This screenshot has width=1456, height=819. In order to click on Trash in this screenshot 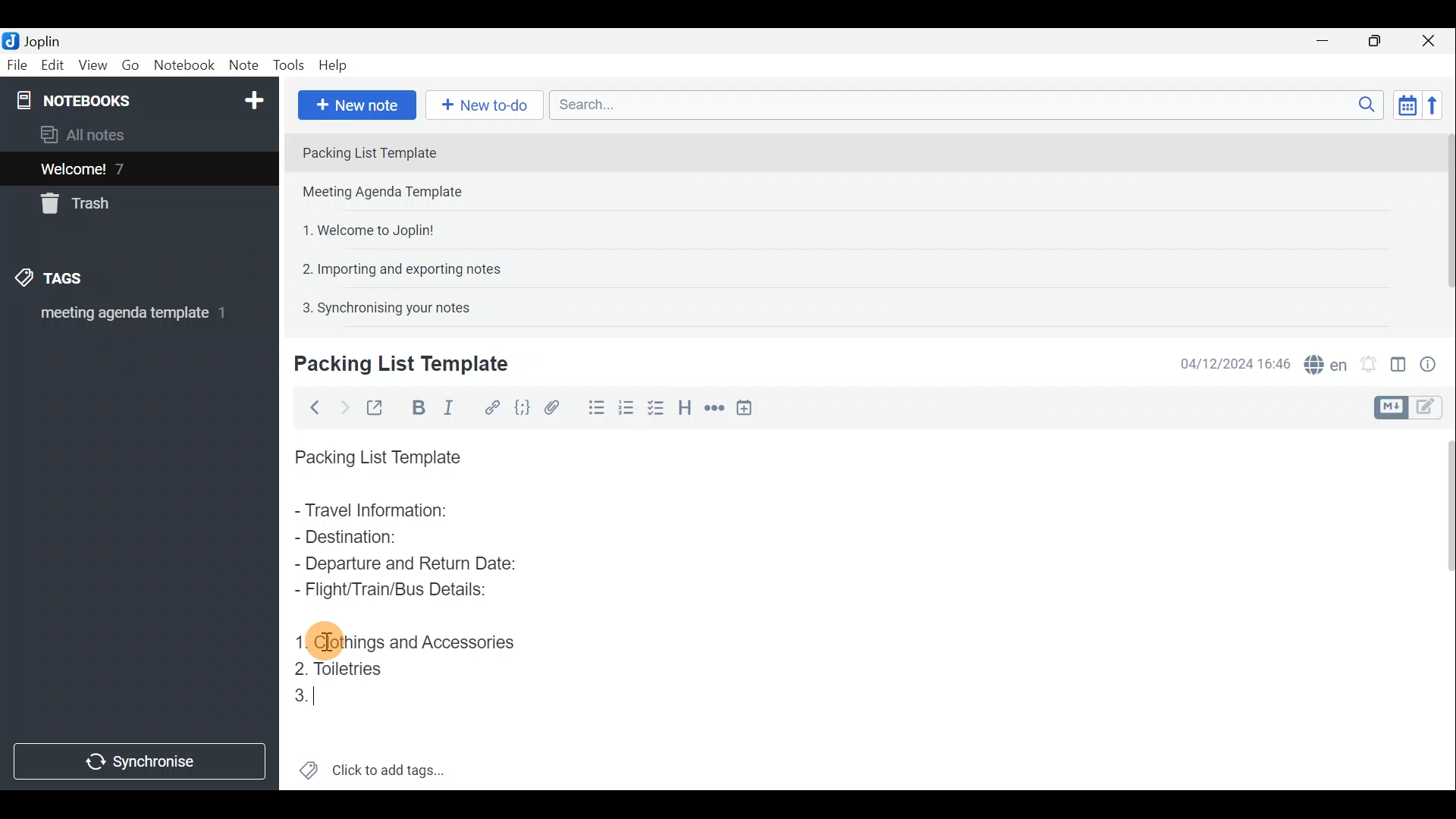, I will do `click(81, 206)`.